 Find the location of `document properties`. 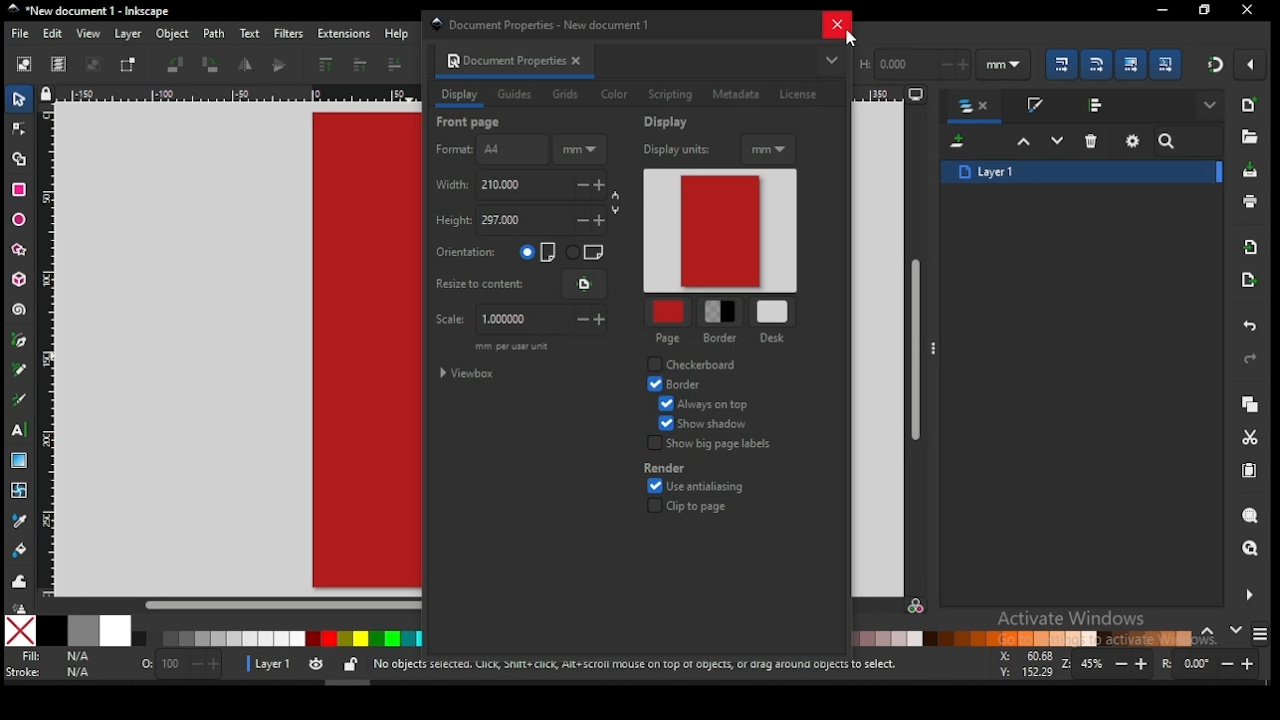

document properties is located at coordinates (503, 60).